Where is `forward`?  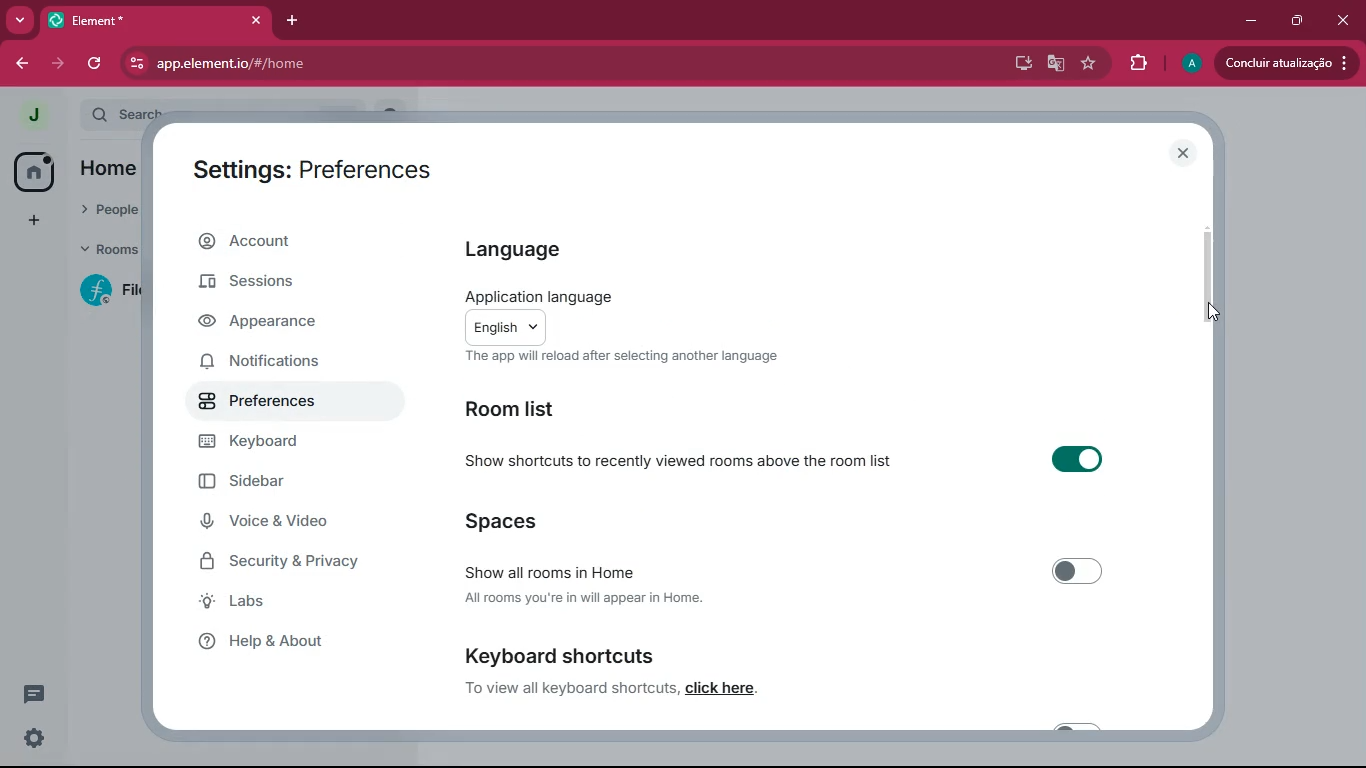
forward is located at coordinates (60, 66).